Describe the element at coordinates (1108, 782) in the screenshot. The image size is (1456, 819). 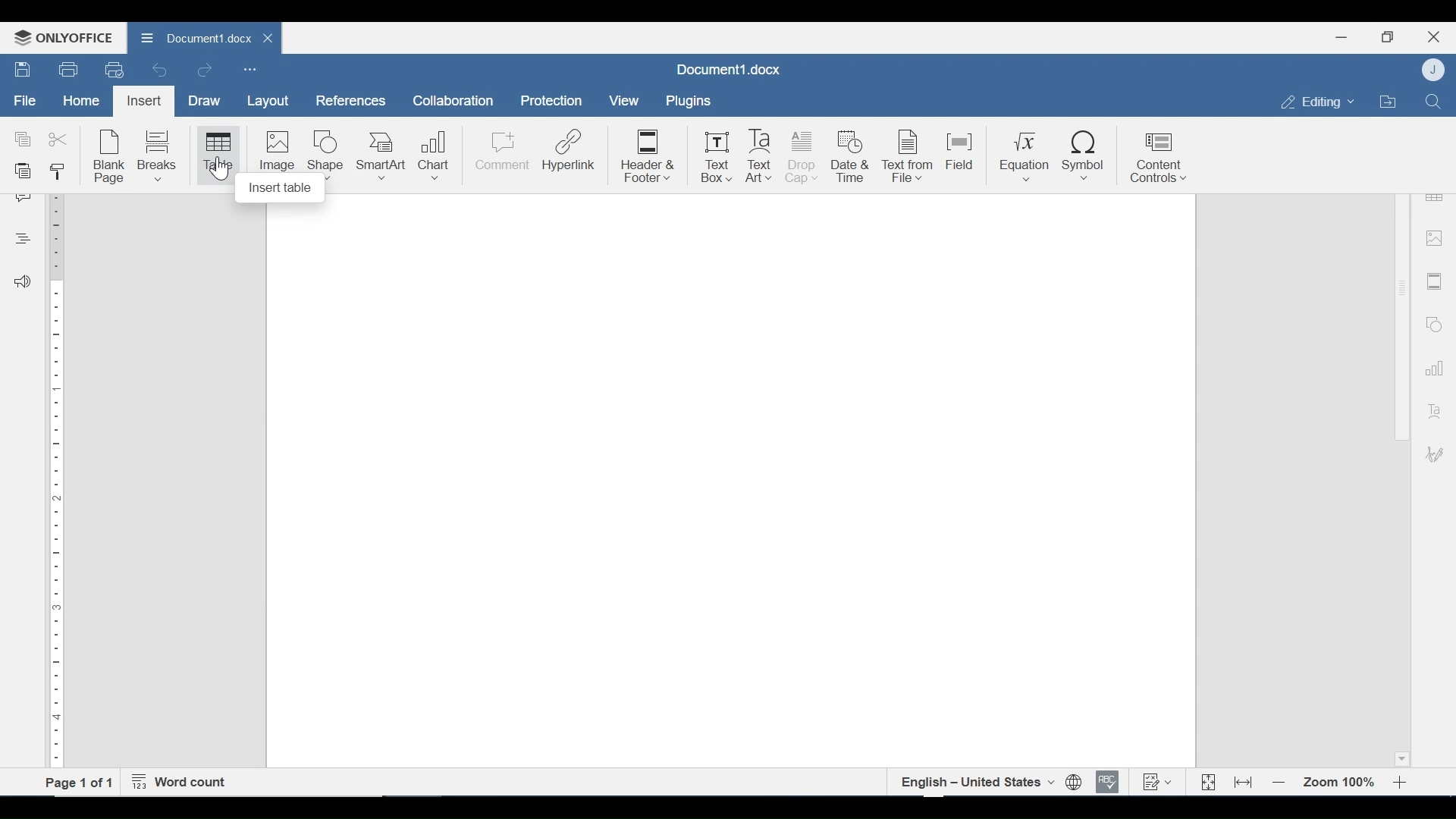
I see `Spell checking` at that location.